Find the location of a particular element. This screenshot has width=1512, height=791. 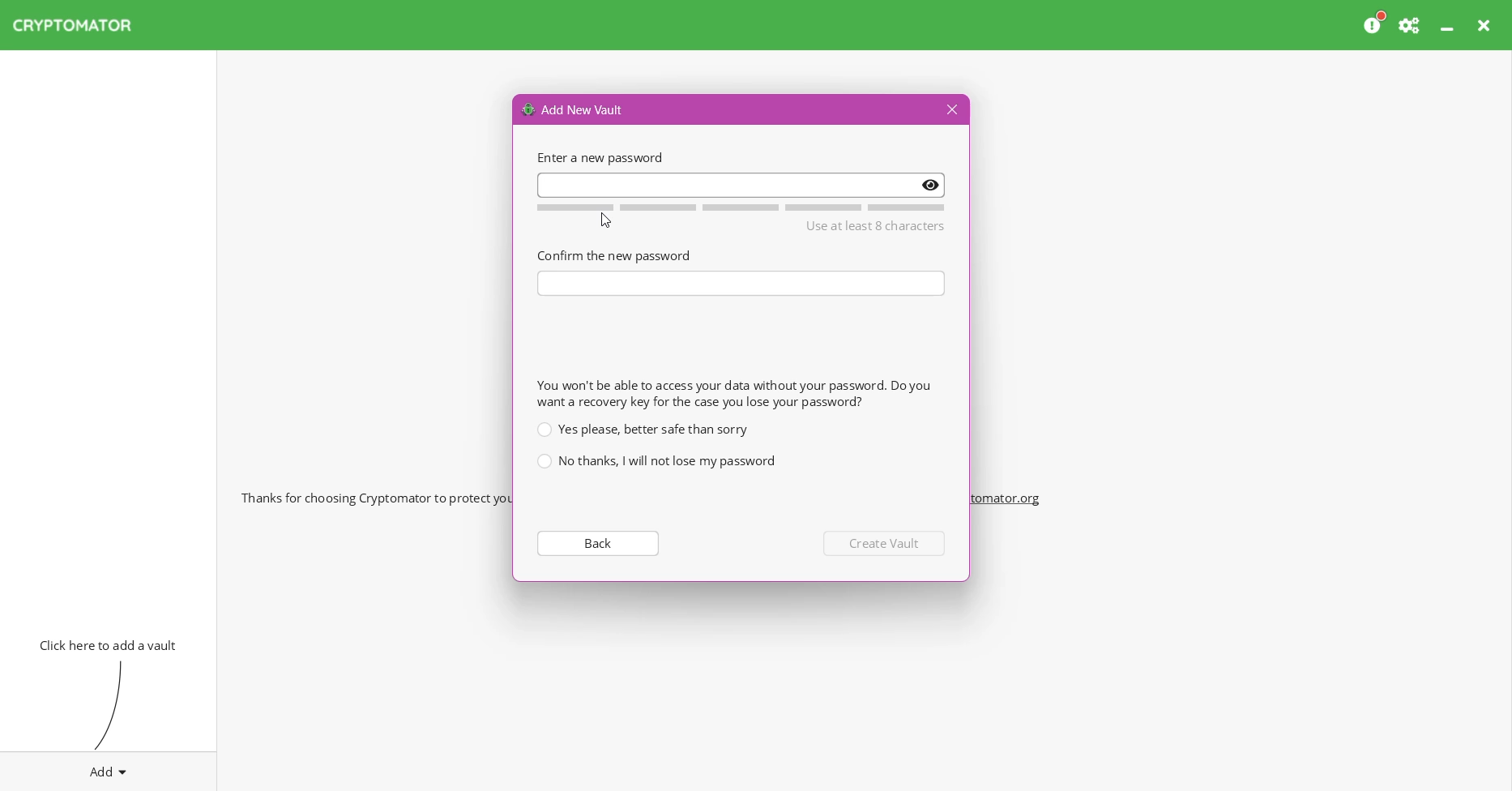

Back is located at coordinates (596, 542).